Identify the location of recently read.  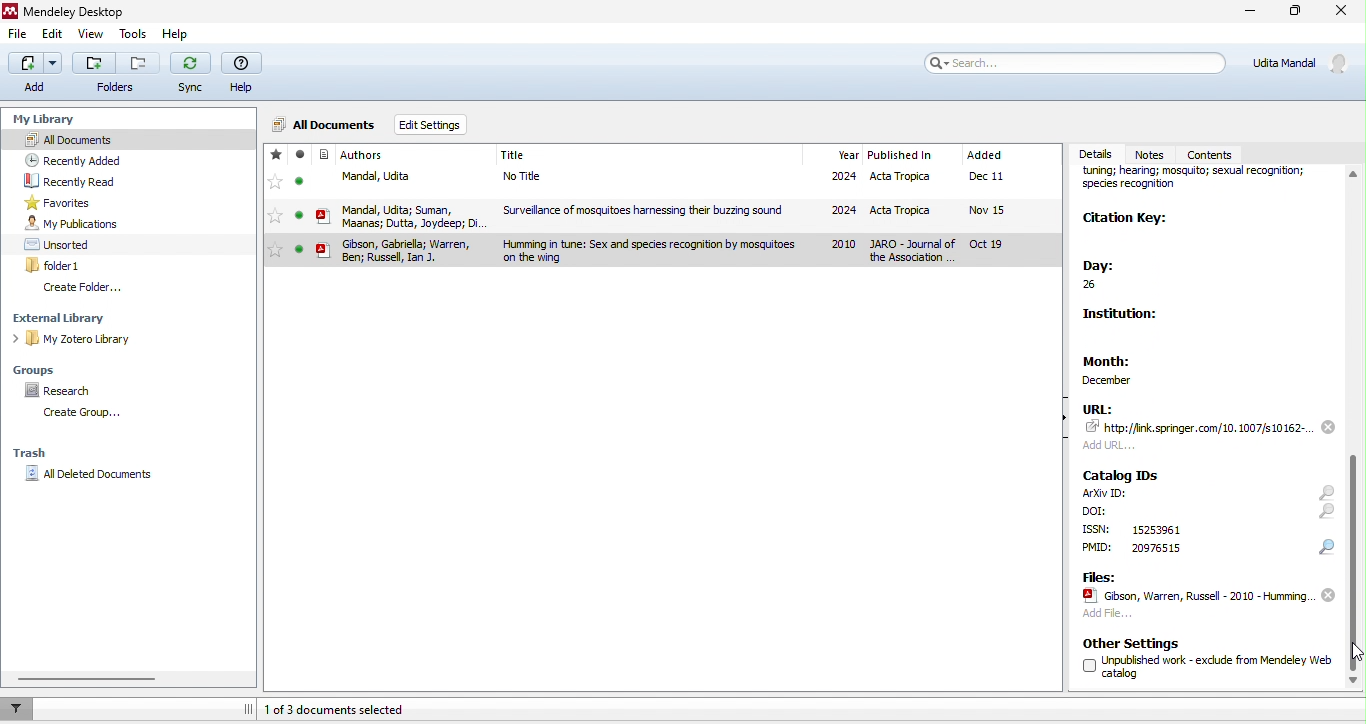
(73, 181).